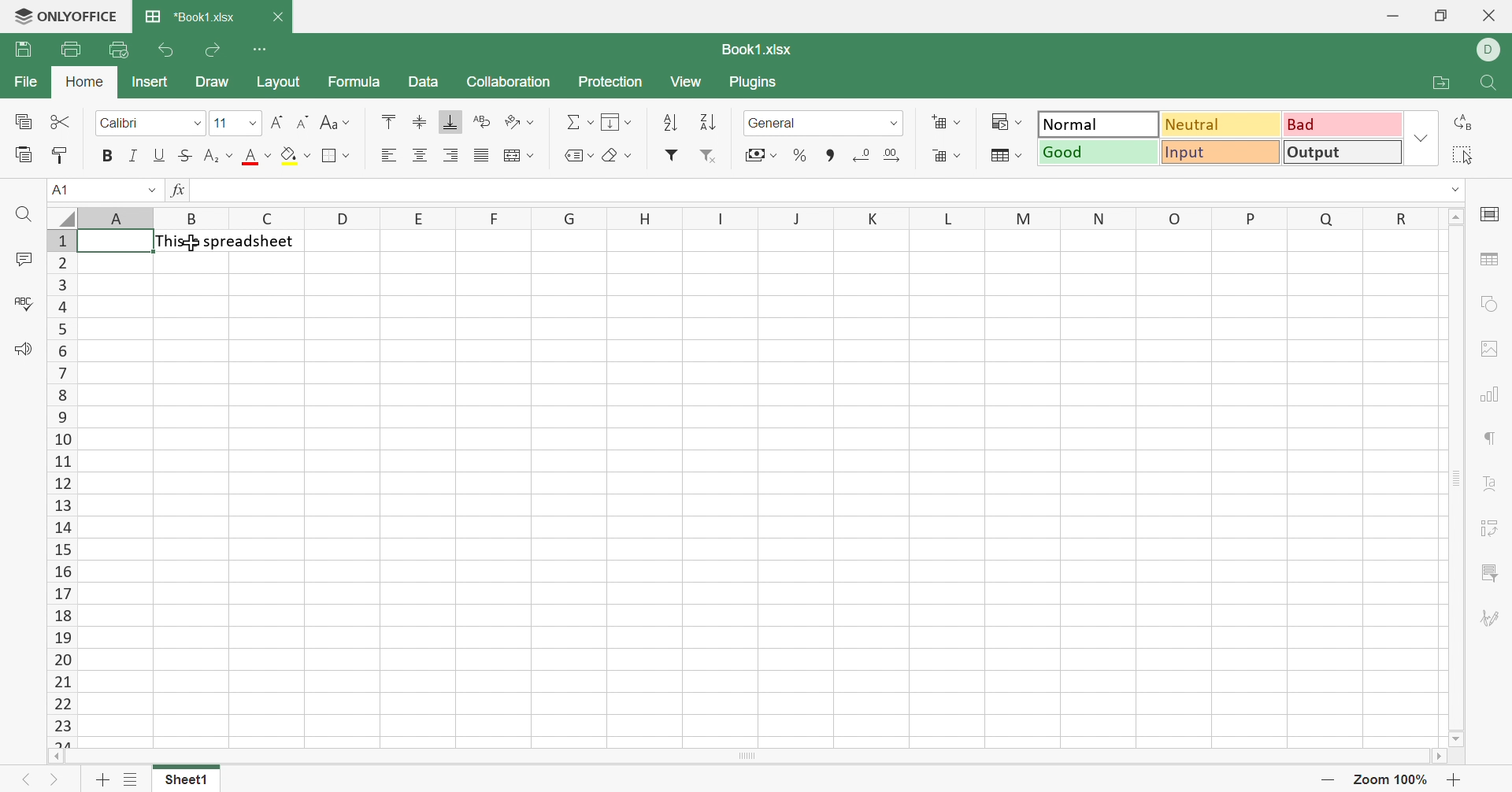  Describe the element at coordinates (277, 118) in the screenshot. I see `Increment Font size` at that location.